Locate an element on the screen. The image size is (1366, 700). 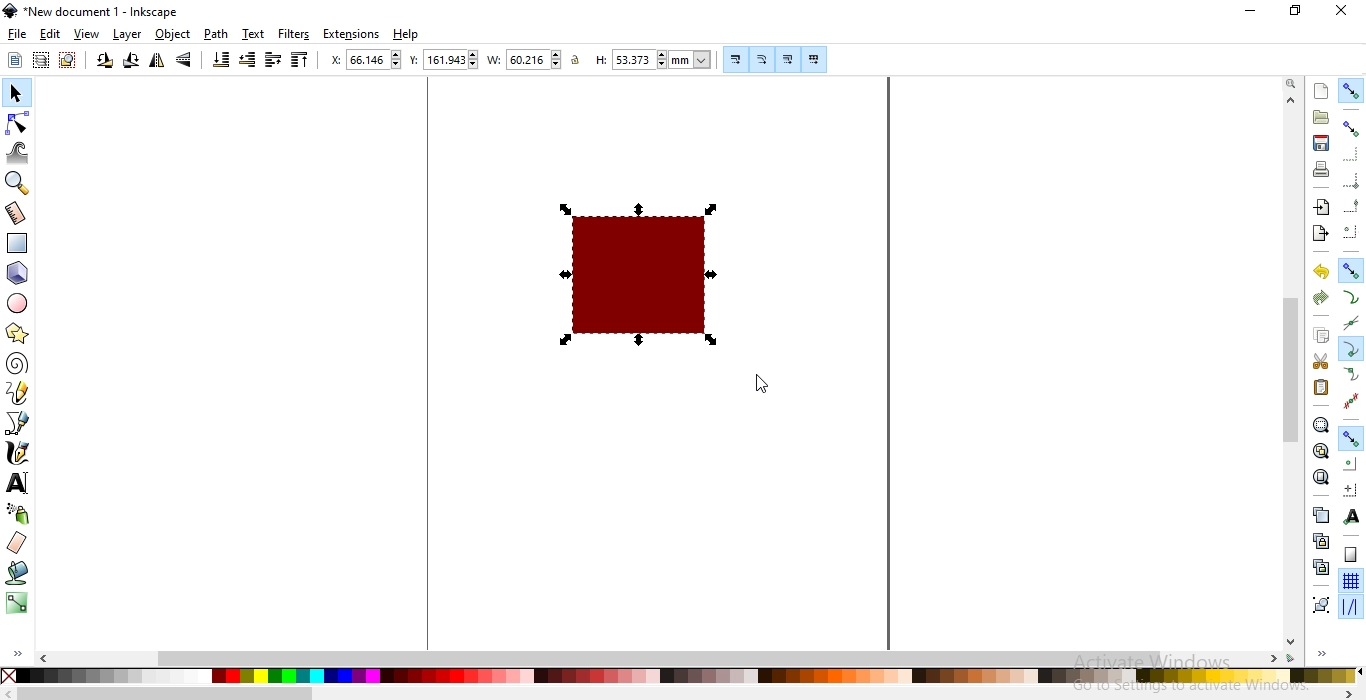
snap nodes paths and handles is located at coordinates (1352, 271).